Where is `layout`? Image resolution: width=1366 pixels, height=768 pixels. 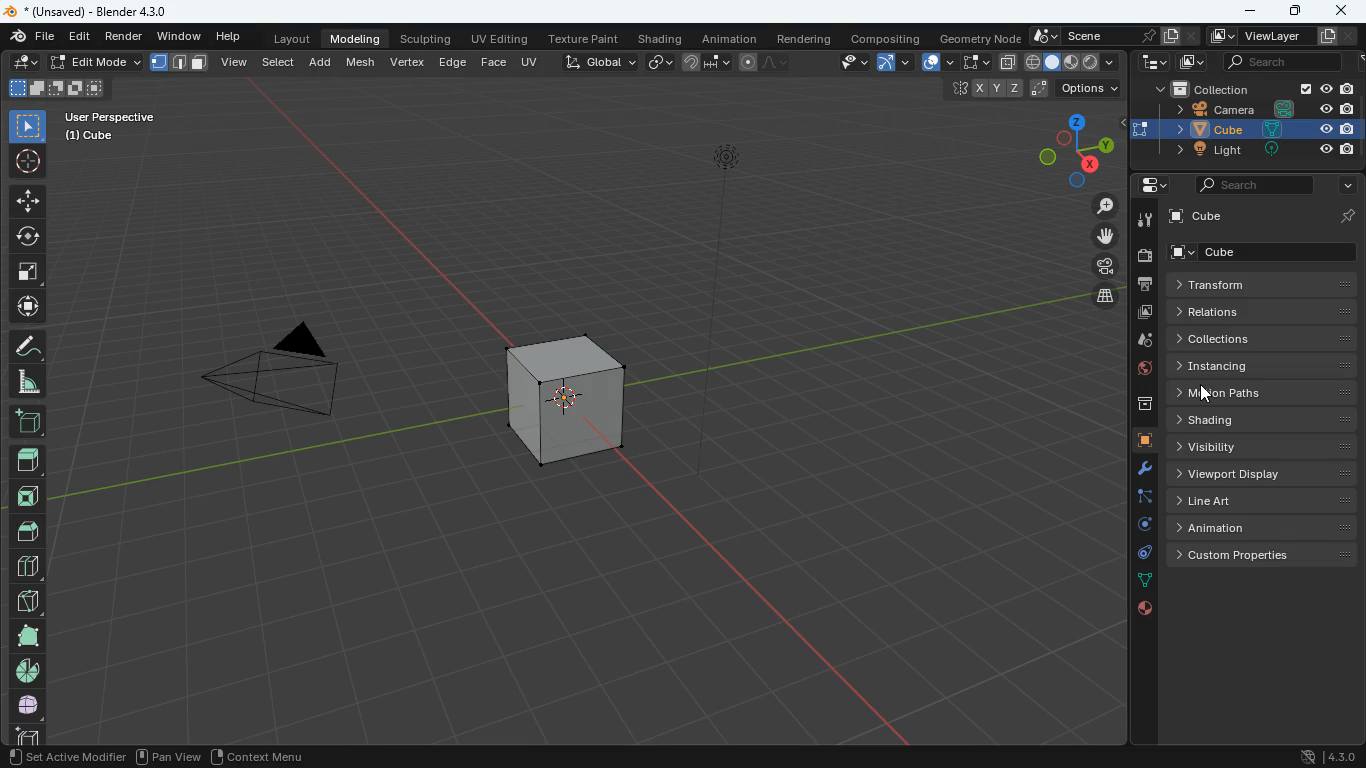 layout is located at coordinates (288, 40).